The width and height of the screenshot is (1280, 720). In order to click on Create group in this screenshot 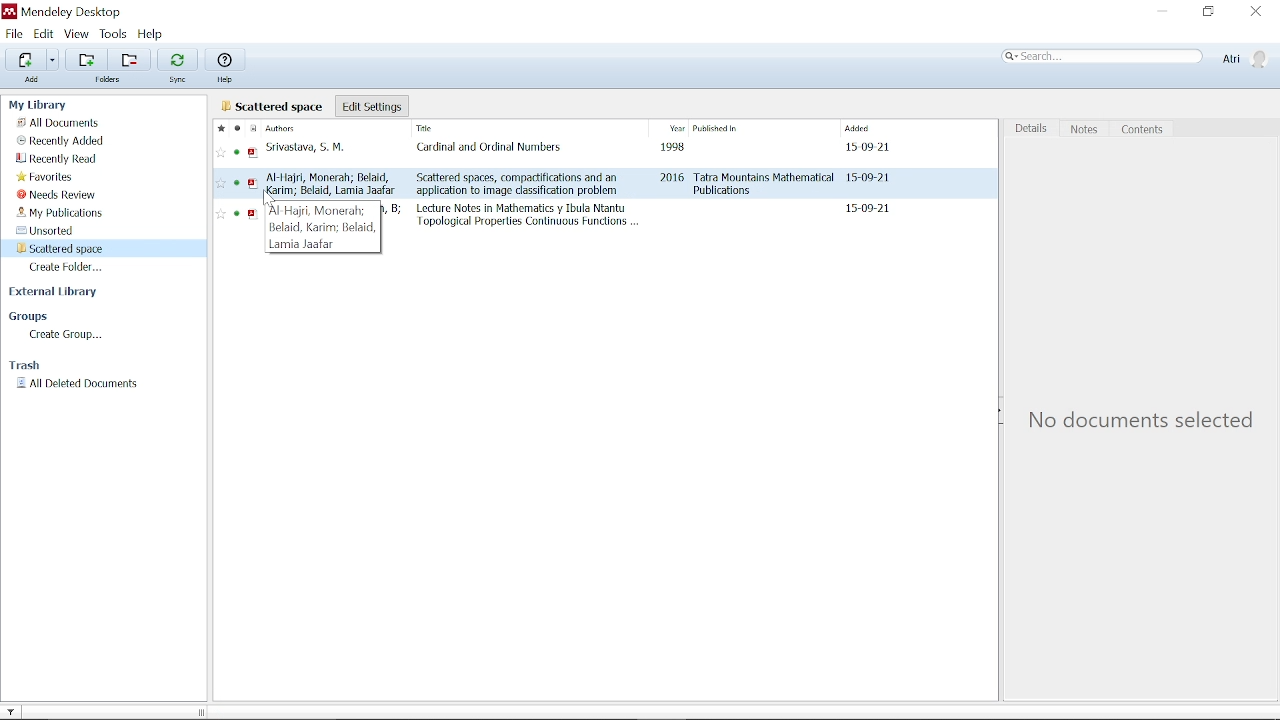, I will do `click(67, 336)`.